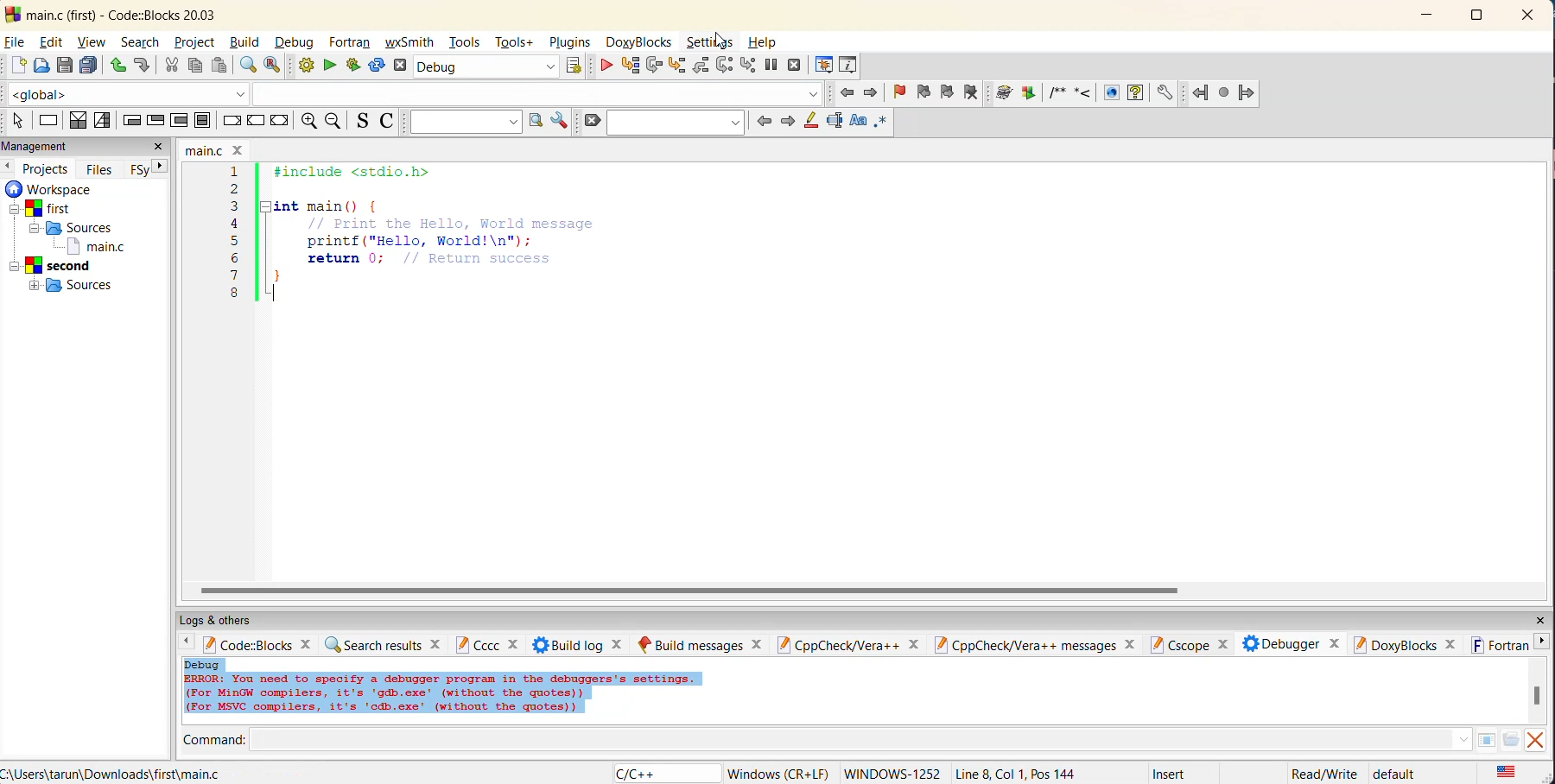  What do you see at coordinates (882, 122) in the screenshot?
I see `use regex` at bounding box center [882, 122].